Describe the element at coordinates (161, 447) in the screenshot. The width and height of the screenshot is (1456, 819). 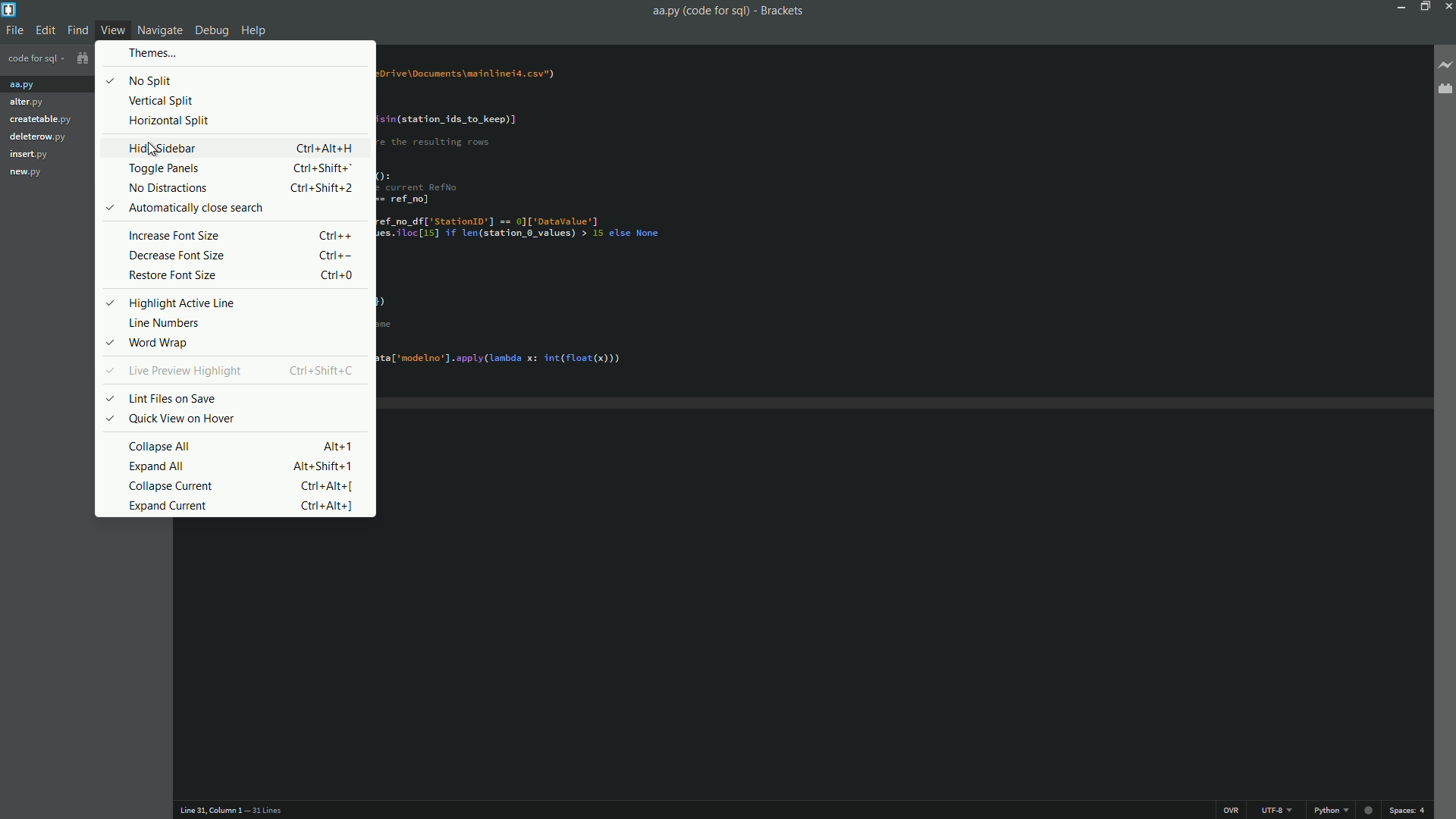
I see `collapse all button` at that location.